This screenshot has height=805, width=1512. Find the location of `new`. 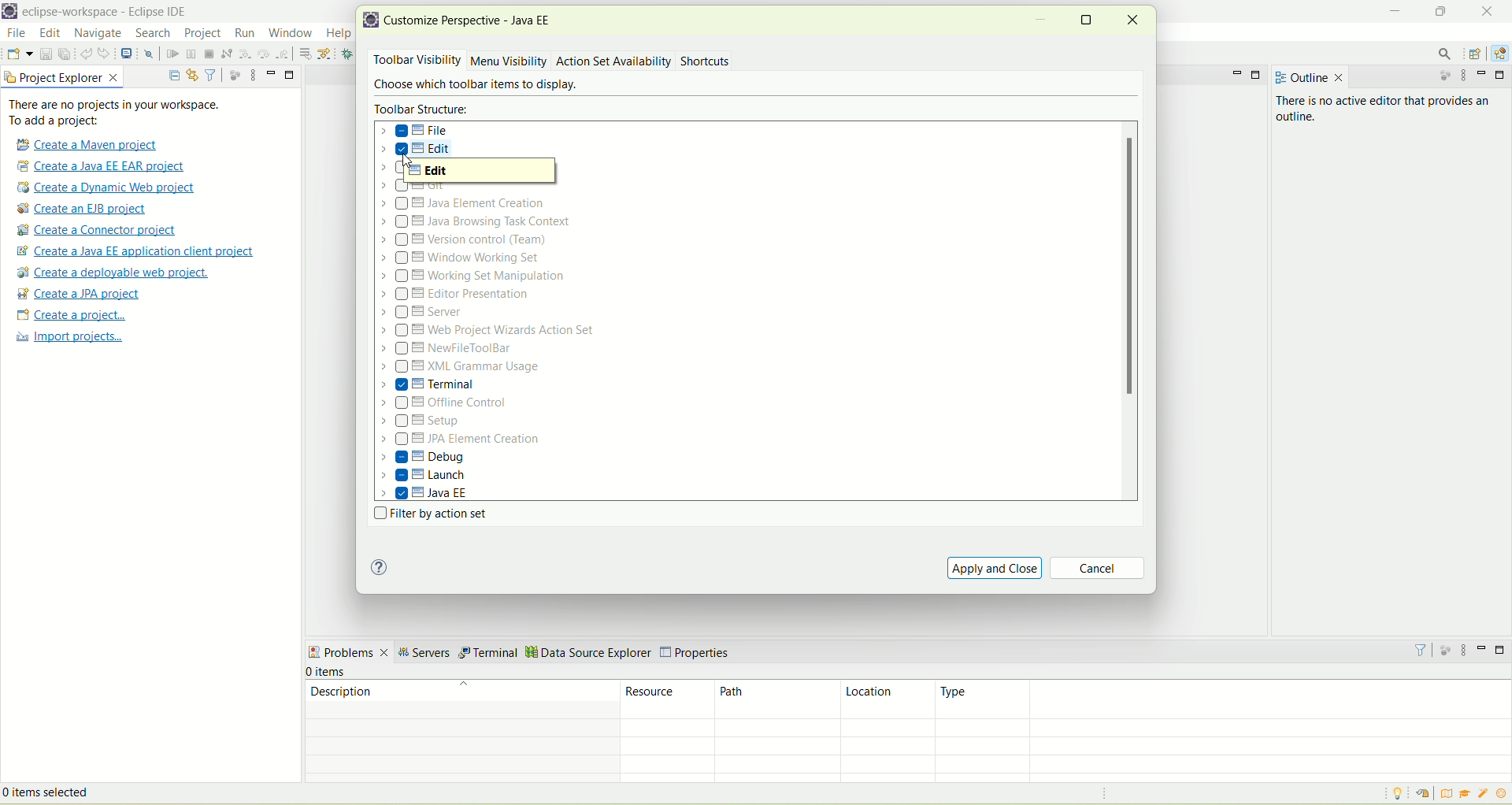

new is located at coordinates (19, 53).